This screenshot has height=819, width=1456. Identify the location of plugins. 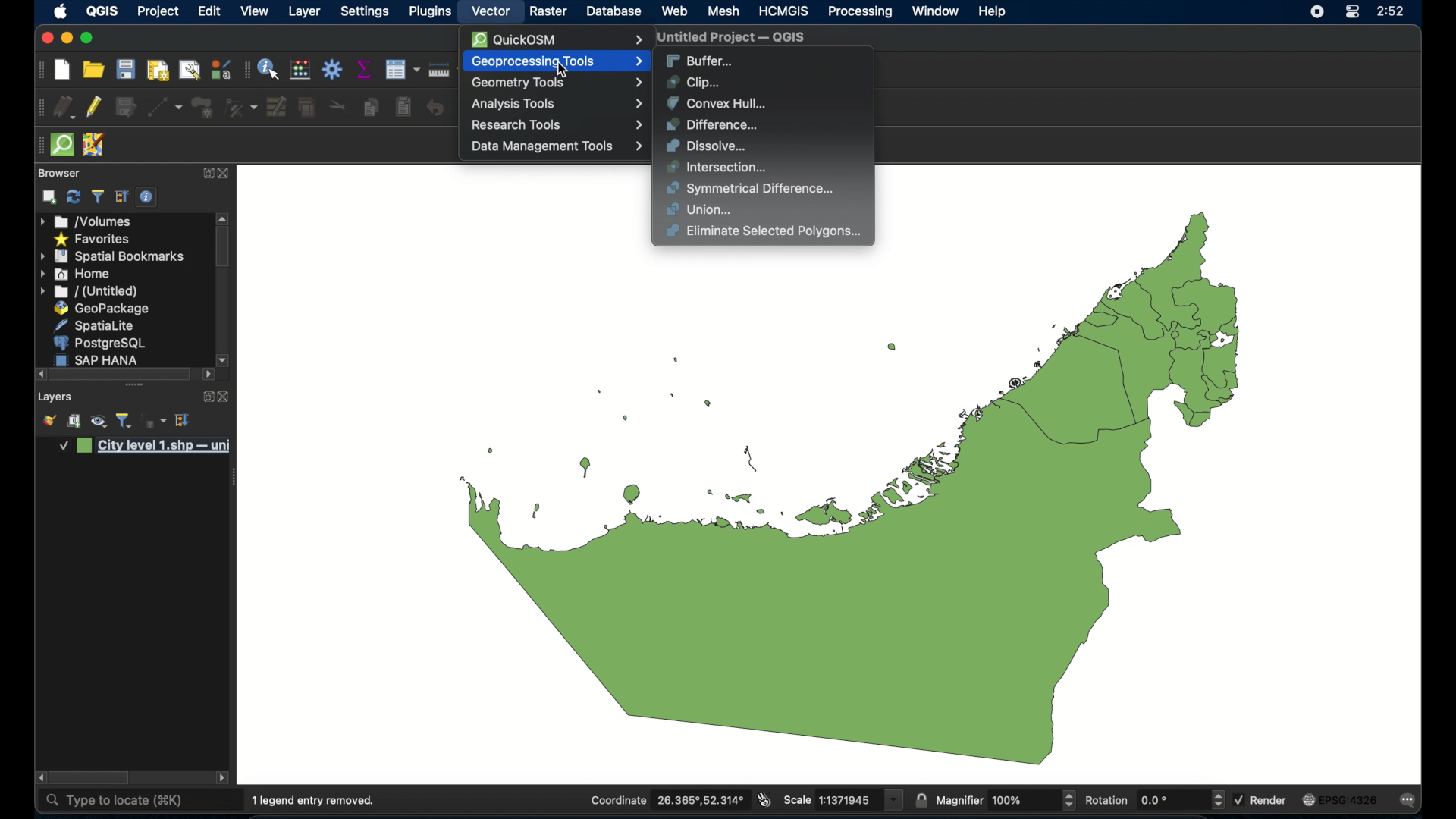
(430, 12).